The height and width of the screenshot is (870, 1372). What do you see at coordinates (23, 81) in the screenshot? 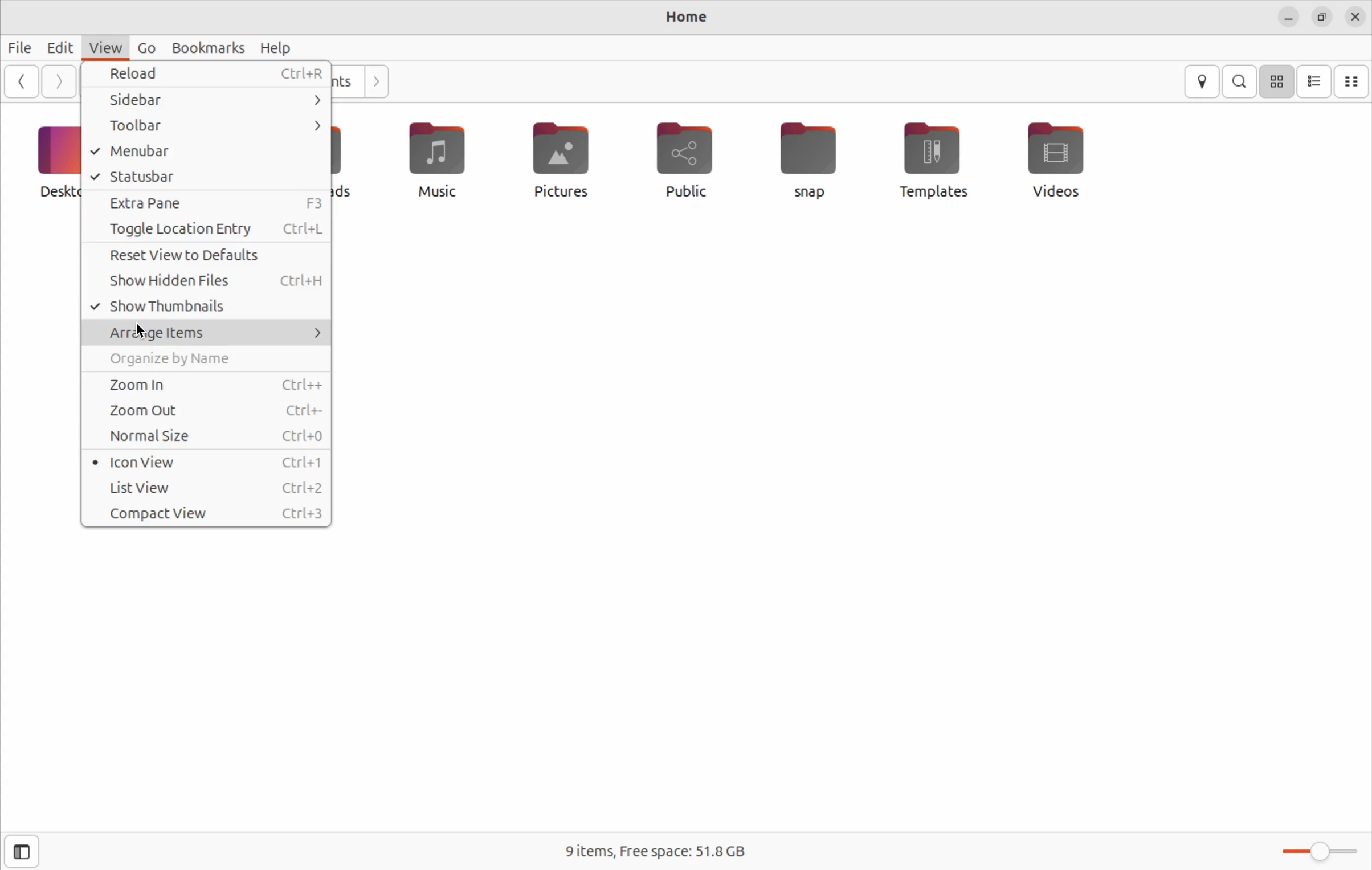
I see `Go back ward` at bounding box center [23, 81].